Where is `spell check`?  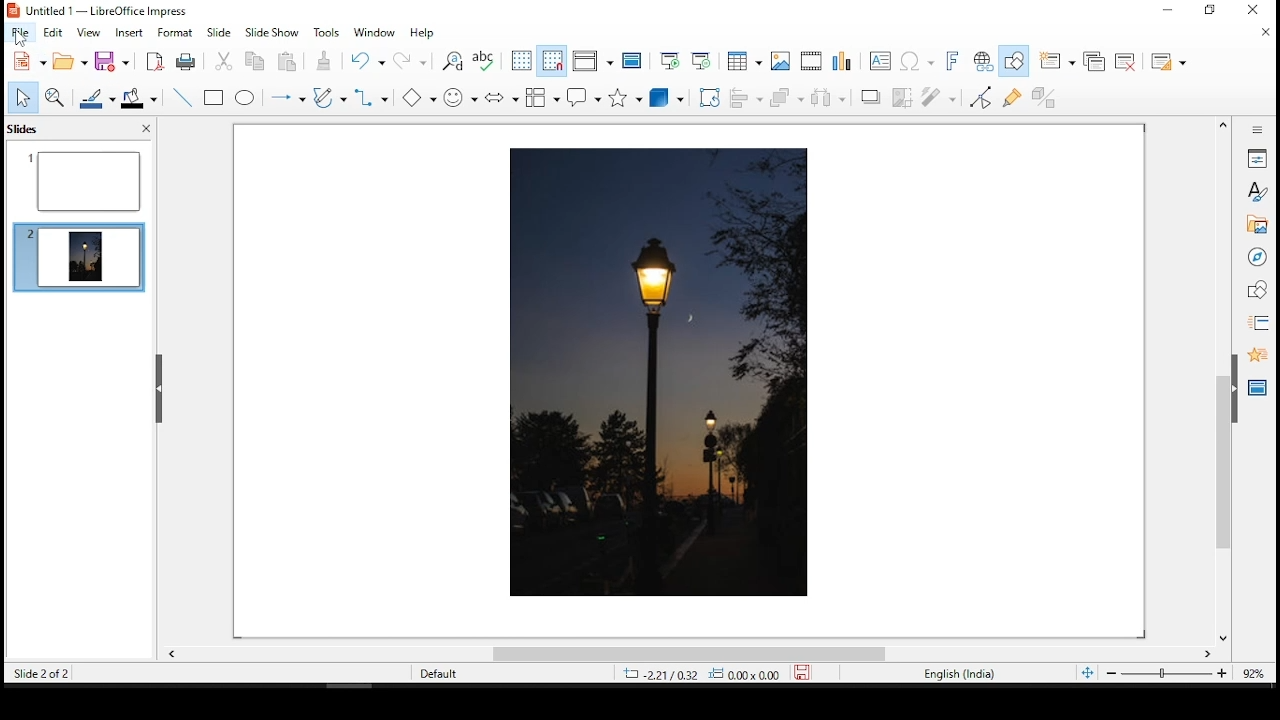 spell check is located at coordinates (486, 60).